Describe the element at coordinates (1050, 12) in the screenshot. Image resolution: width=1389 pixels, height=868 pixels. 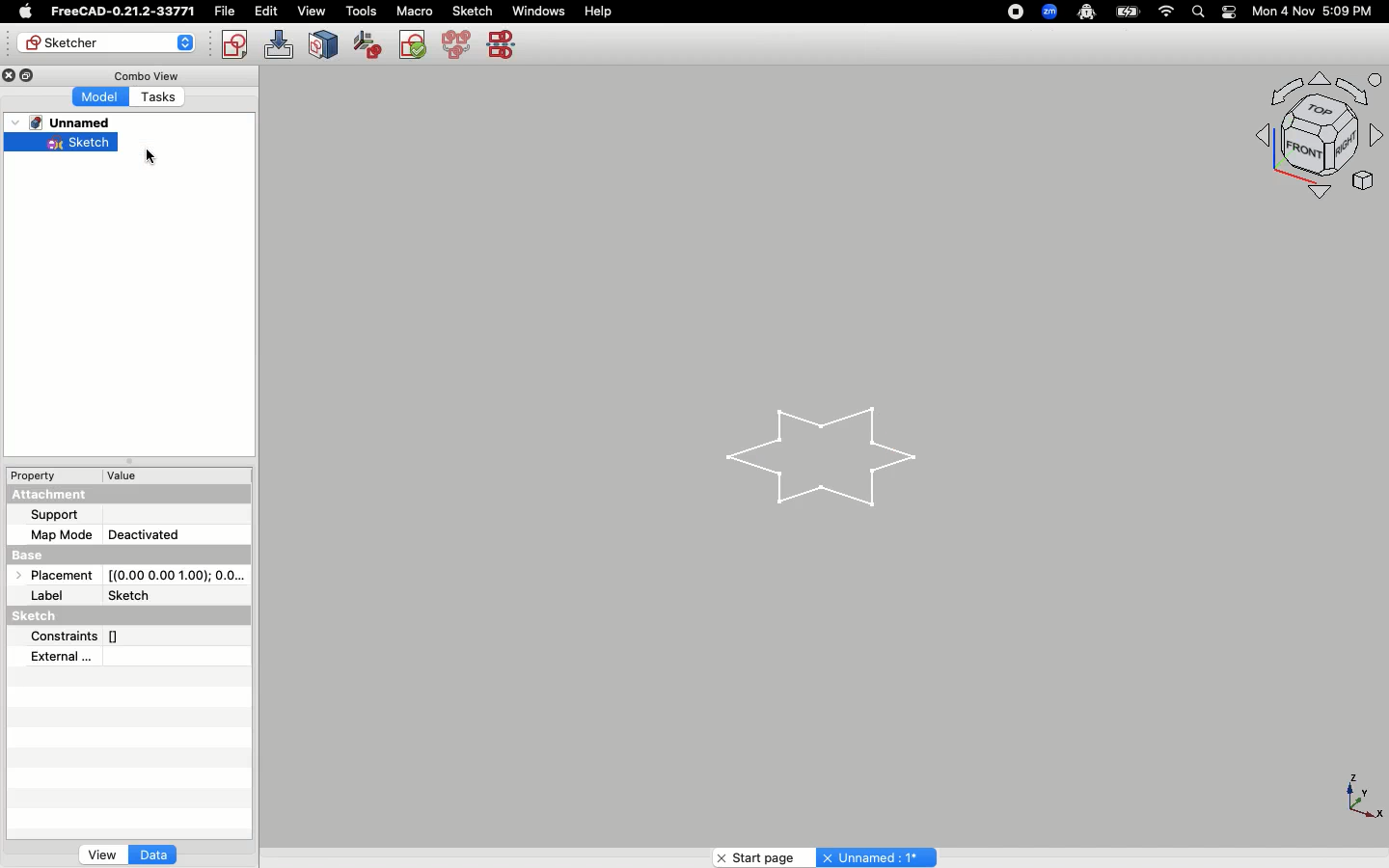
I see `Zoom` at that location.